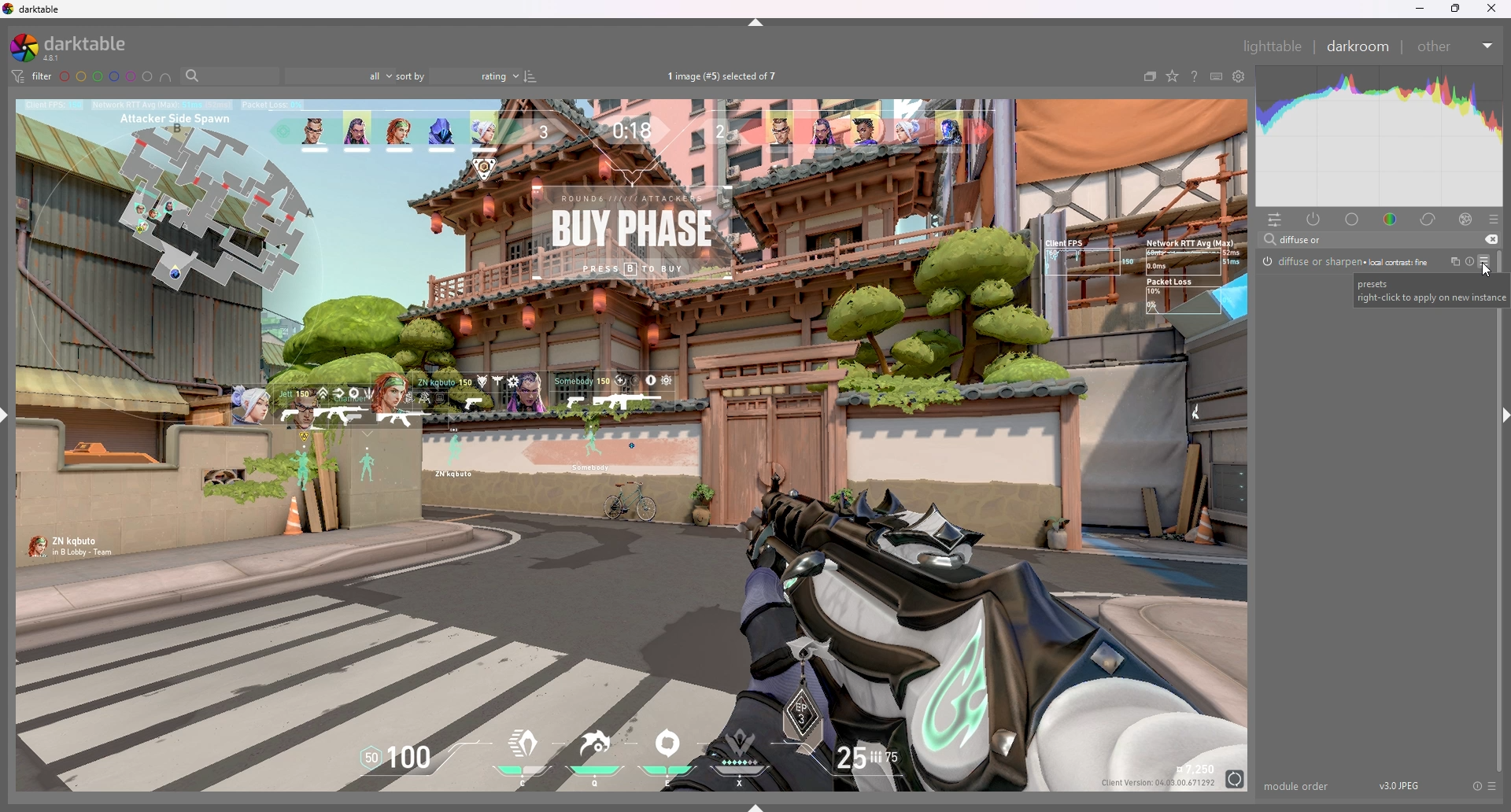 This screenshot has width=1511, height=812. Describe the element at coordinates (1194, 76) in the screenshot. I see `online help` at that location.